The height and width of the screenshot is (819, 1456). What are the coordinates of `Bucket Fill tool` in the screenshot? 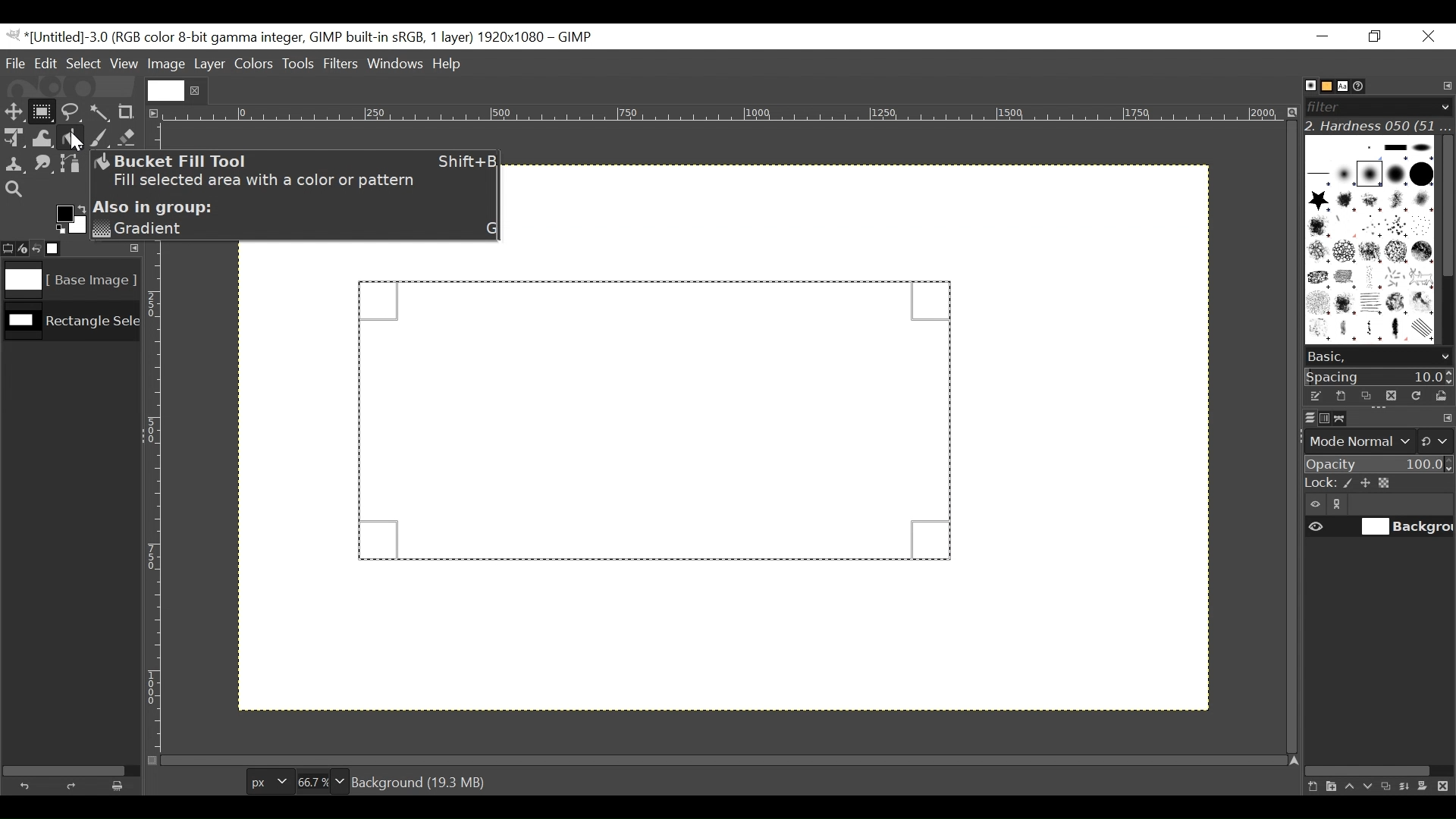 It's located at (77, 142).